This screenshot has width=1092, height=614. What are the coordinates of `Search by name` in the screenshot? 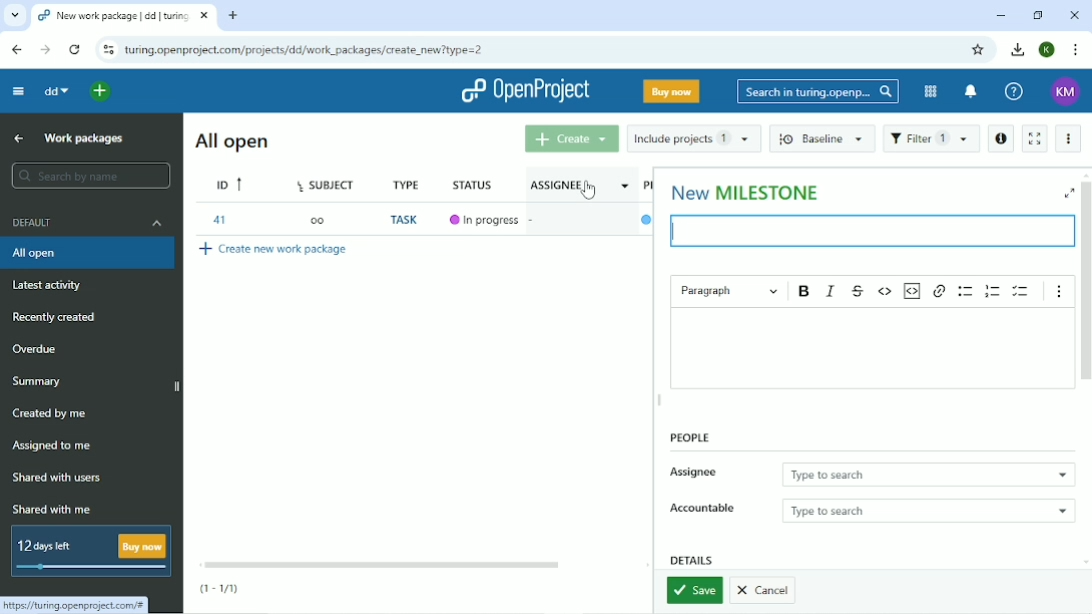 It's located at (92, 175).